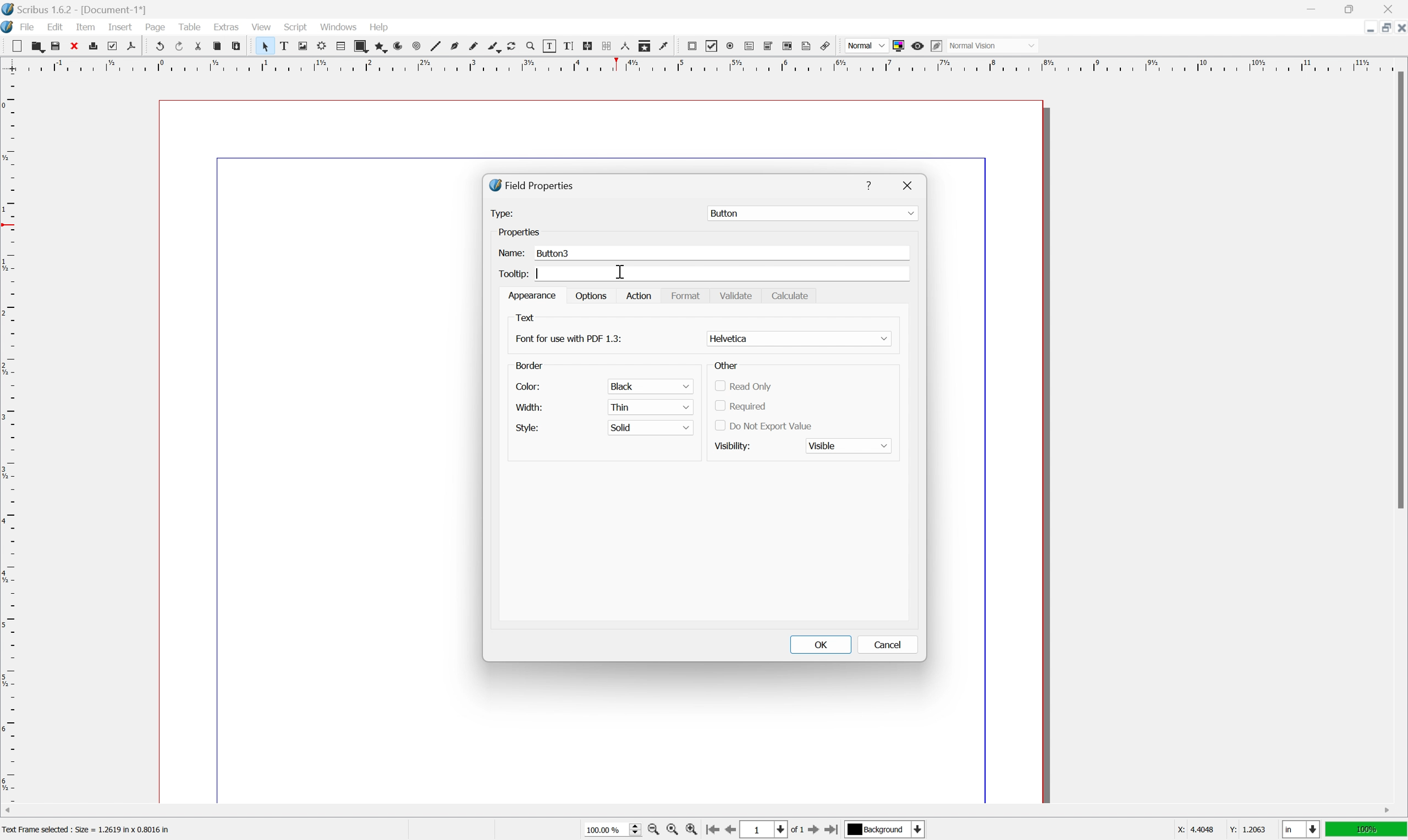  I want to click on Tooltip, so click(513, 272).